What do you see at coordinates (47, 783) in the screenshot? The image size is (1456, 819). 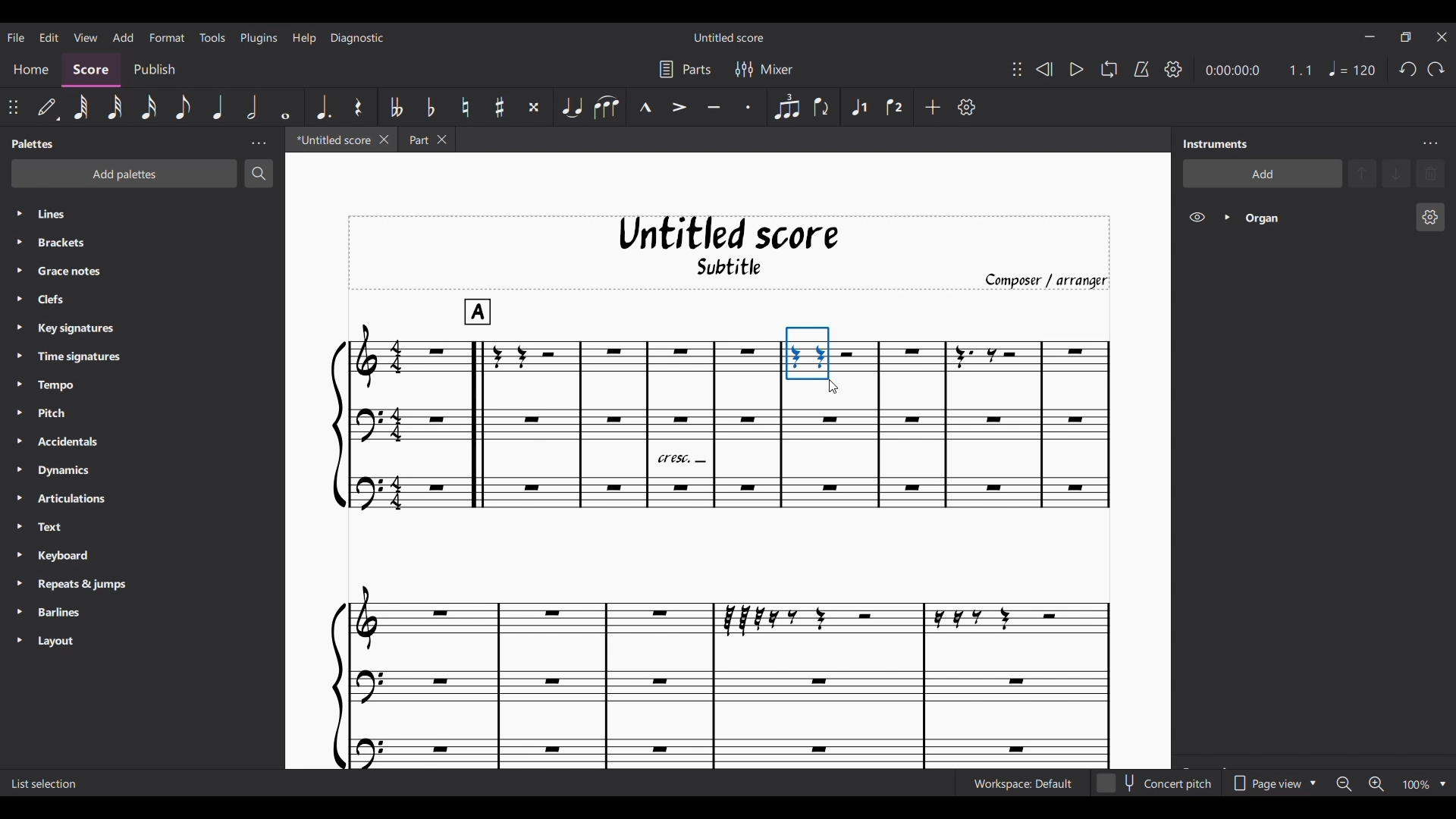 I see `Description of current selection` at bounding box center [47, 783].